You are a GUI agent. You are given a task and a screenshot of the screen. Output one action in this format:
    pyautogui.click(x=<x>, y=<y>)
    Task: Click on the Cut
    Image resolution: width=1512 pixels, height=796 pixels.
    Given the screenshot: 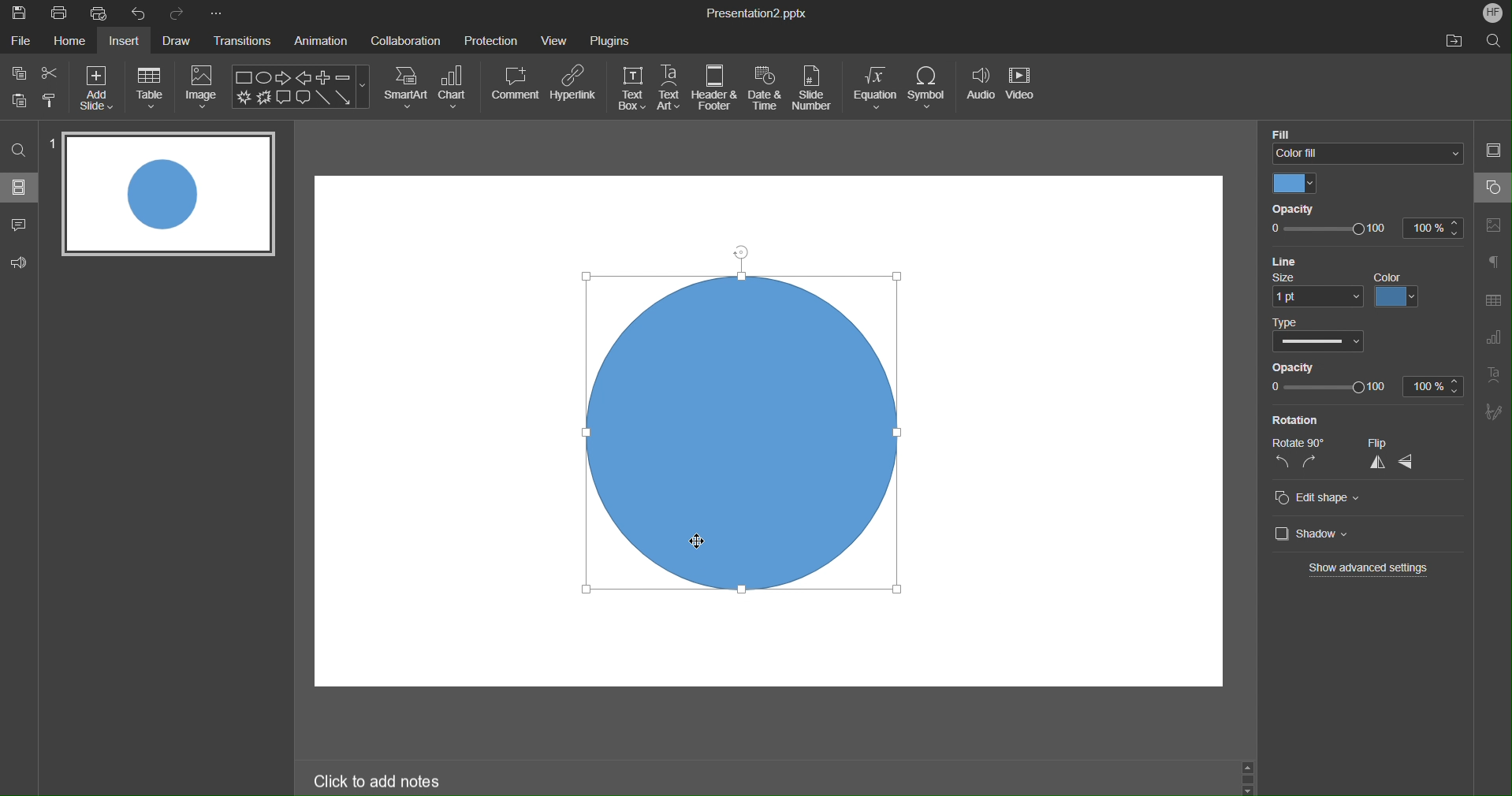 What is the action you would take?
    pyautogui.click(x=51, y=73)
    